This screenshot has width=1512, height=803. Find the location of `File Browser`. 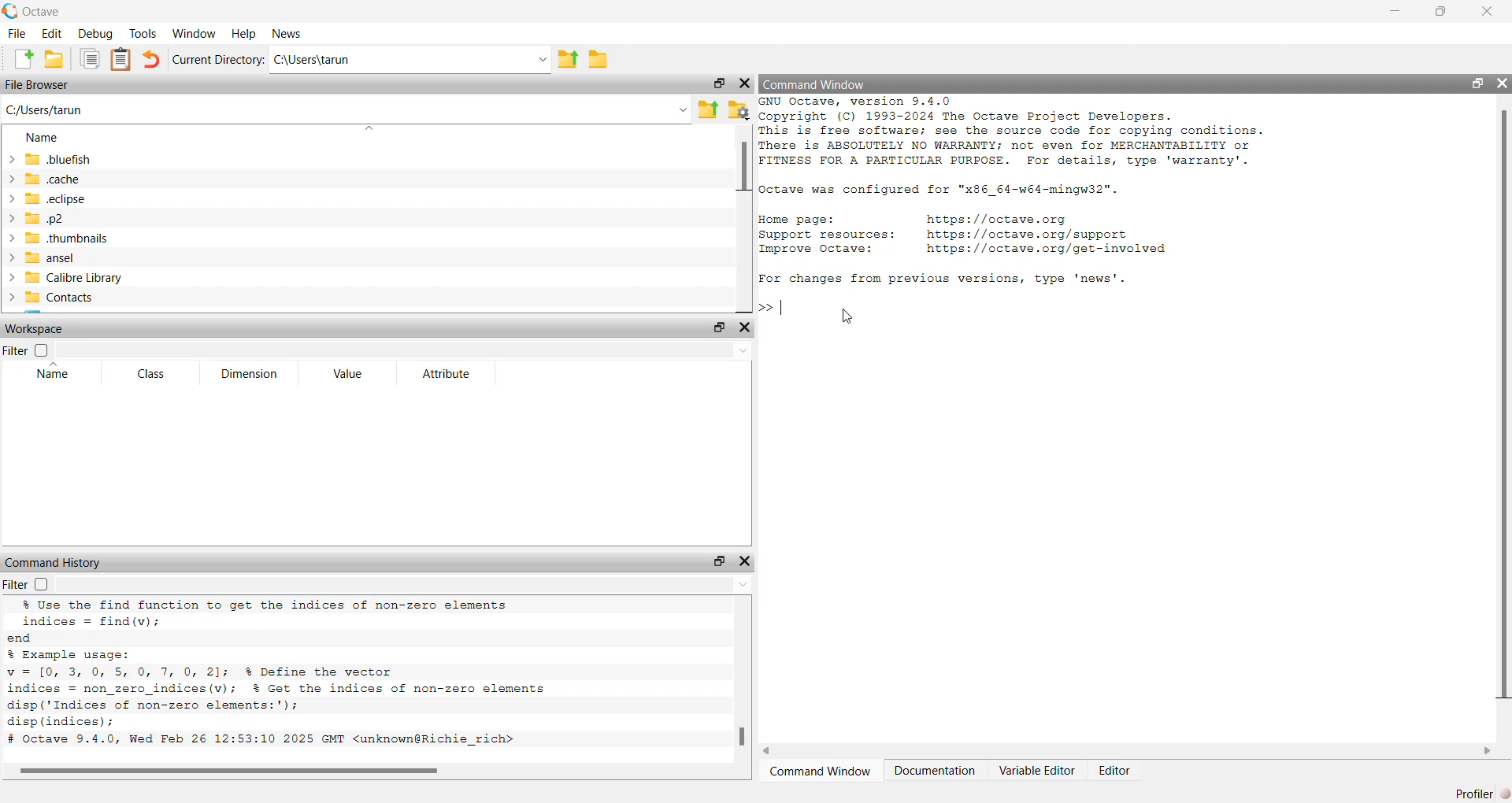

File Browser is located at coordinates (40, 86).